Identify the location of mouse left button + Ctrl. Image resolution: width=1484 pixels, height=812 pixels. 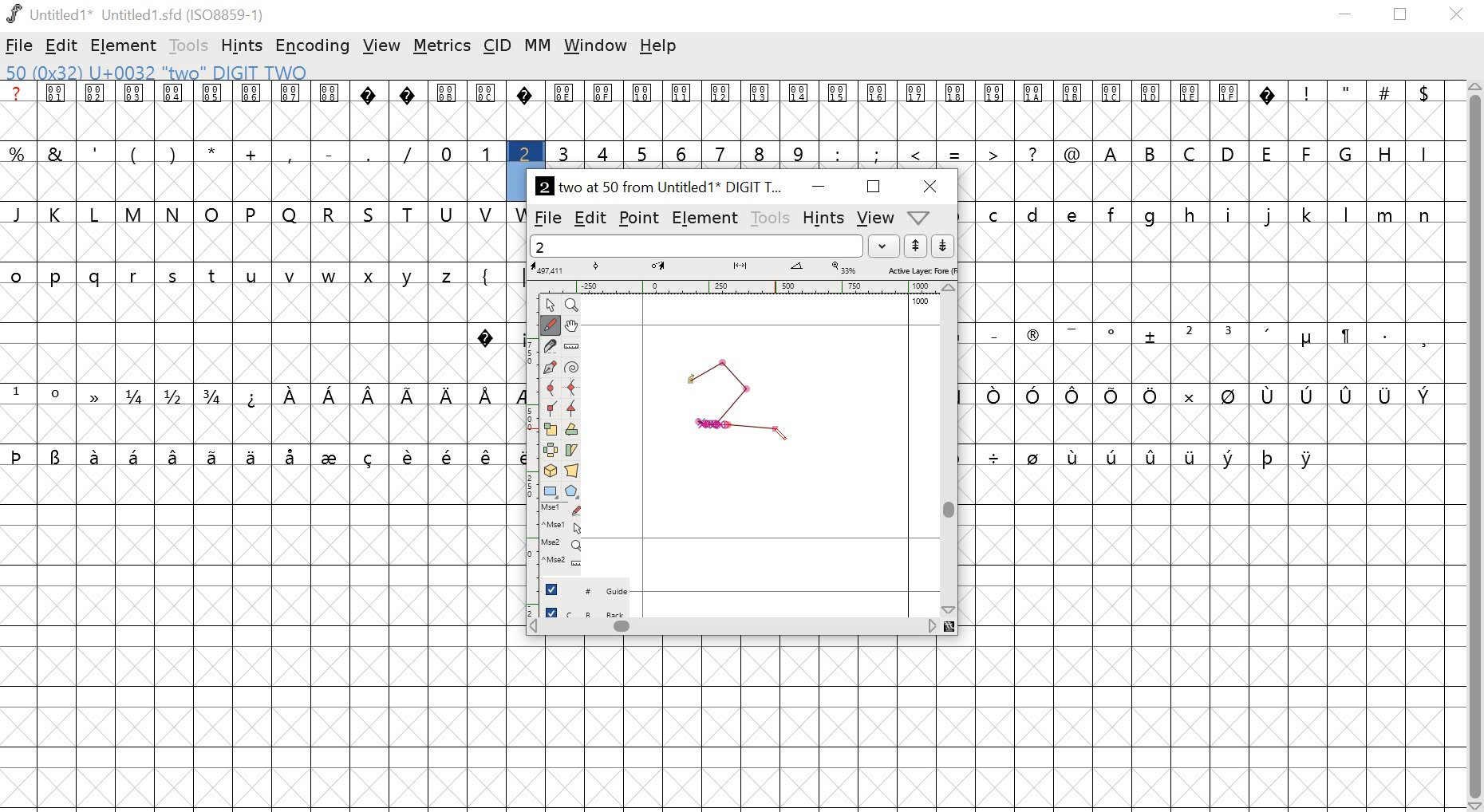
(565, 528).